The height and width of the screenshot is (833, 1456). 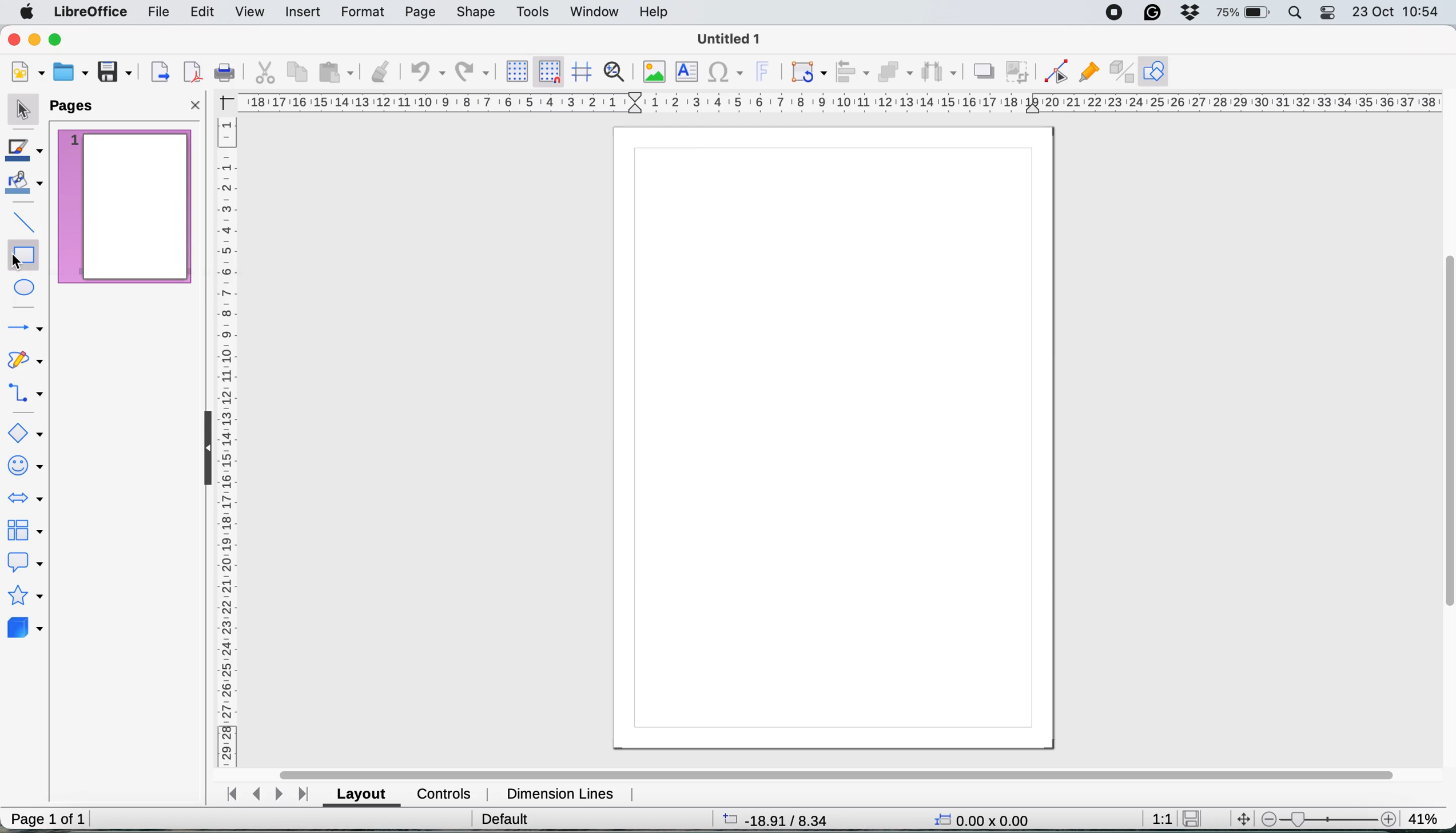 What do you see at coordinates (26, 395) in the screenshot?
I see `connectors` at bounding box center [26, 395].